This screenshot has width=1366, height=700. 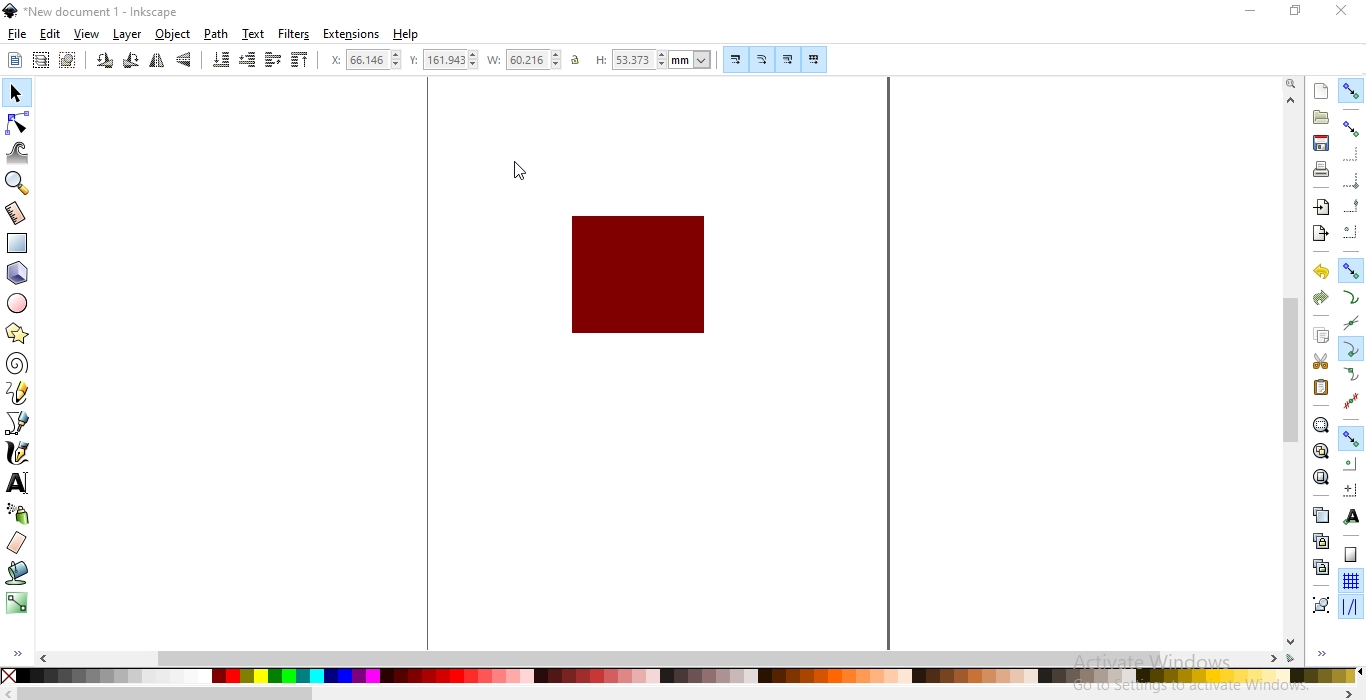 What do you see at coordinates (20, 182) in the screenshot?
I see `zoom in or out` at bounding box center [20, 182].